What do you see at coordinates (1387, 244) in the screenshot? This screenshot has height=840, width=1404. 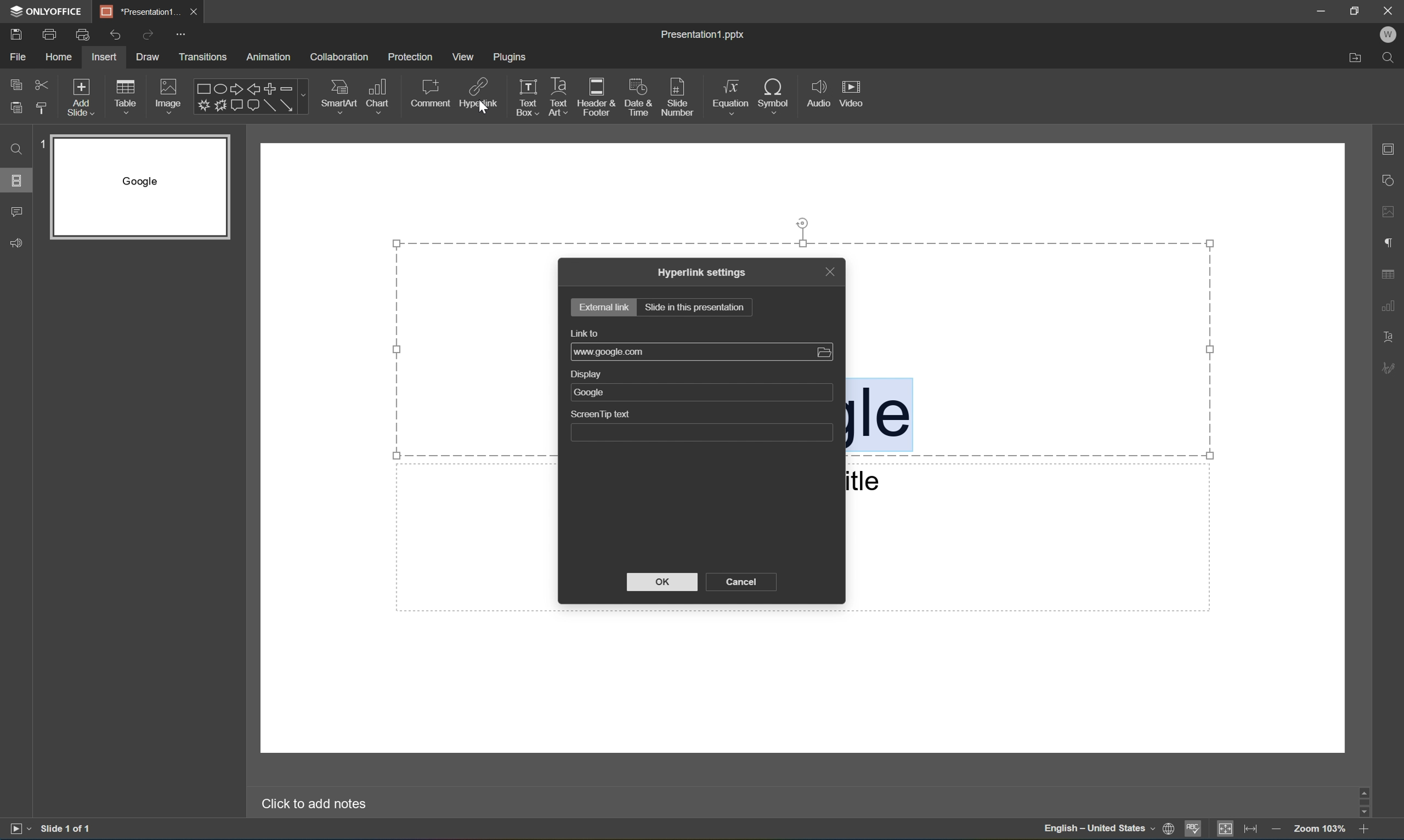 I see `Paragraph settings` at bounding box center [1387, 244].